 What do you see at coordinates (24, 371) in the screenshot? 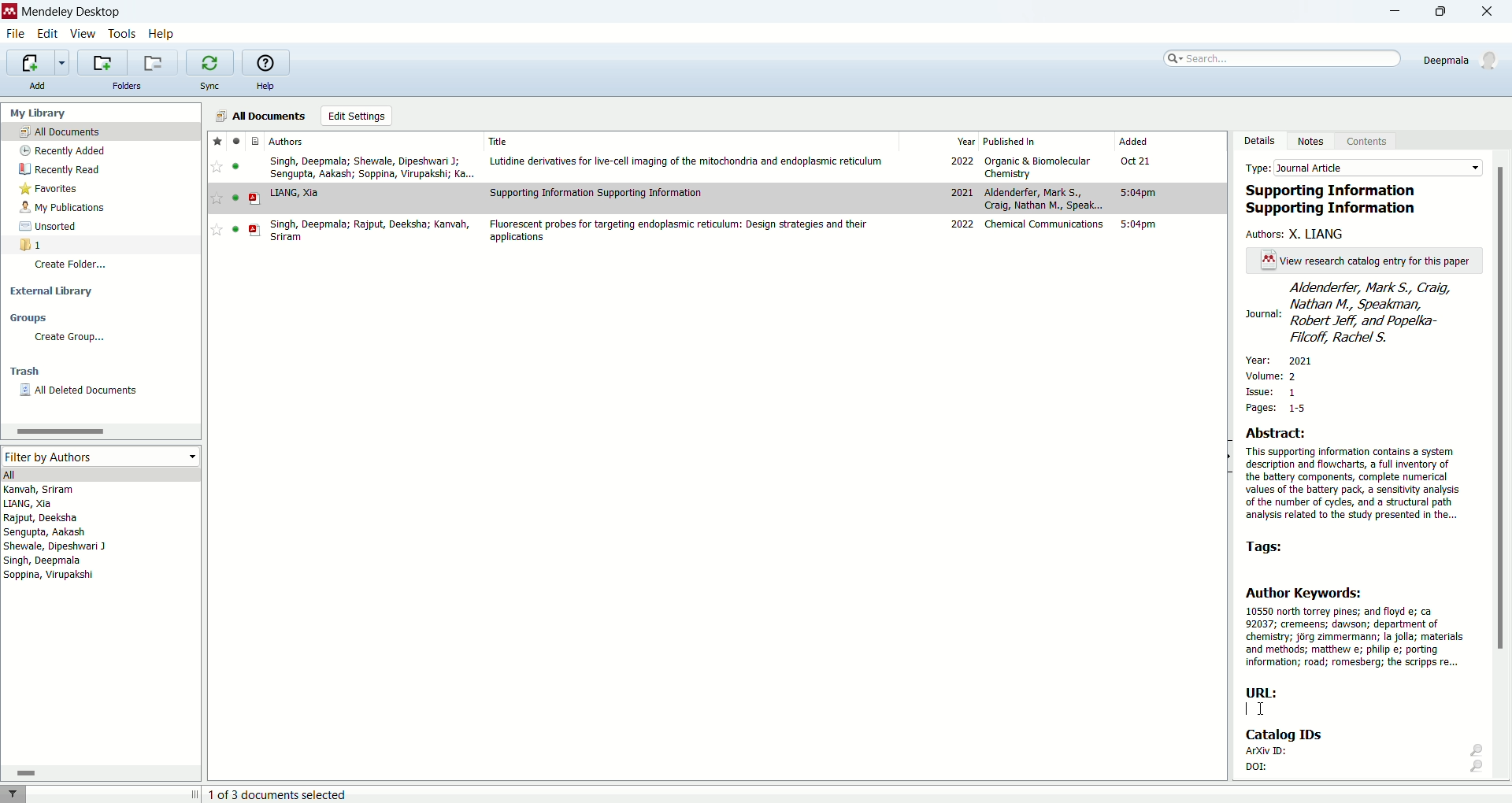
I see `trash` at bounding box center [24, 371].